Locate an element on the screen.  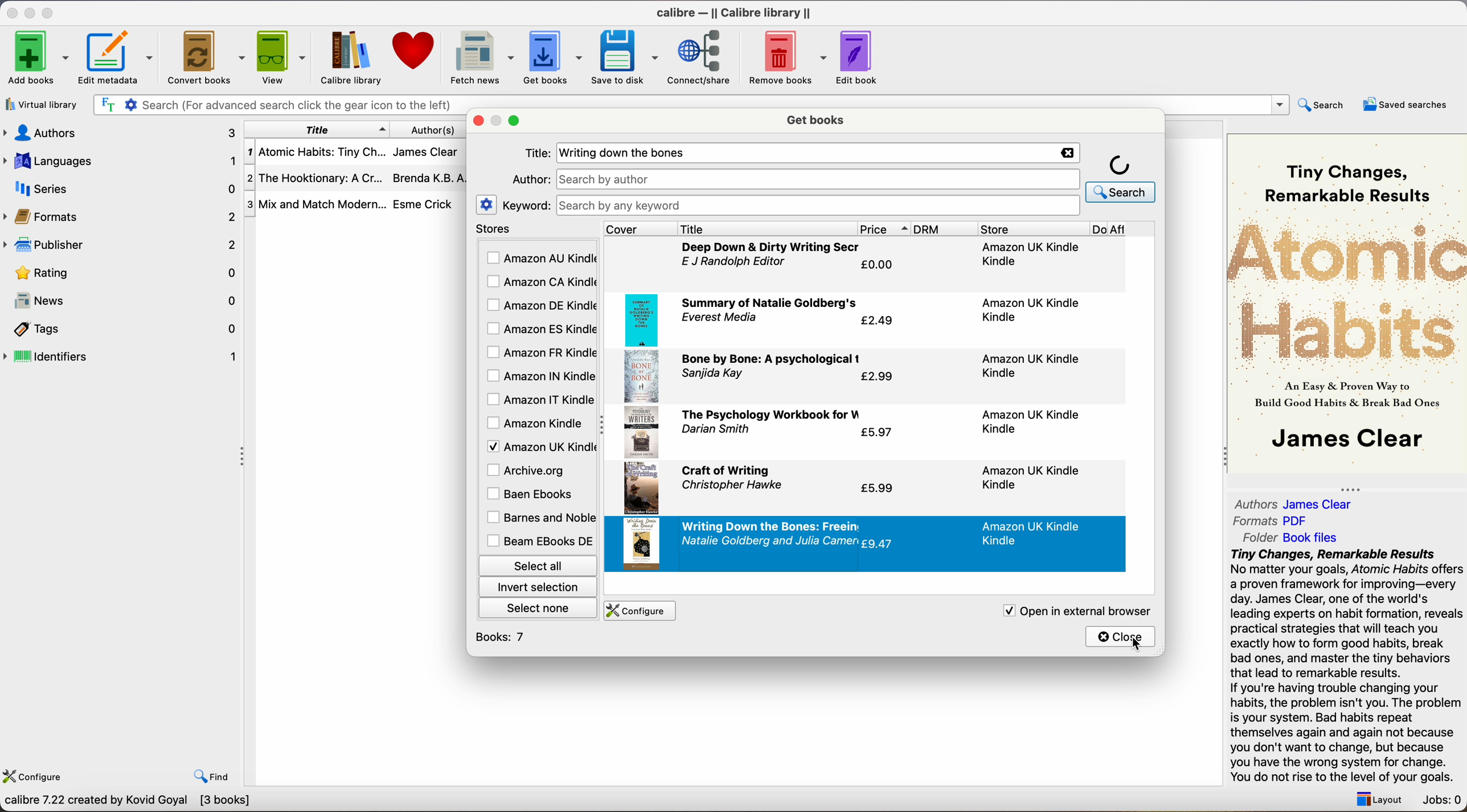
search is located at coordinates (1323, 104).